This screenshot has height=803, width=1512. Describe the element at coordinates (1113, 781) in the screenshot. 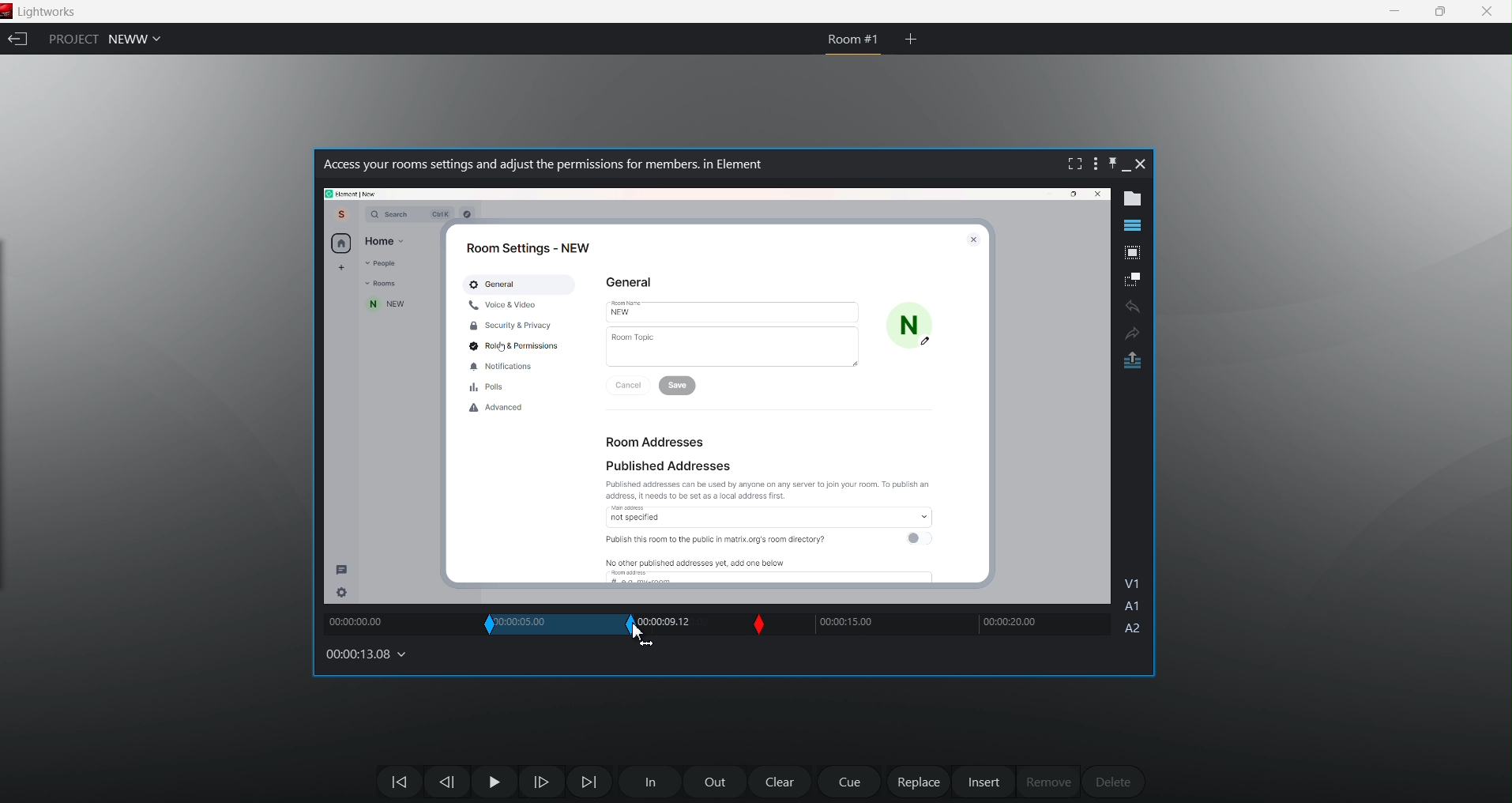

I see `delete` at that location.